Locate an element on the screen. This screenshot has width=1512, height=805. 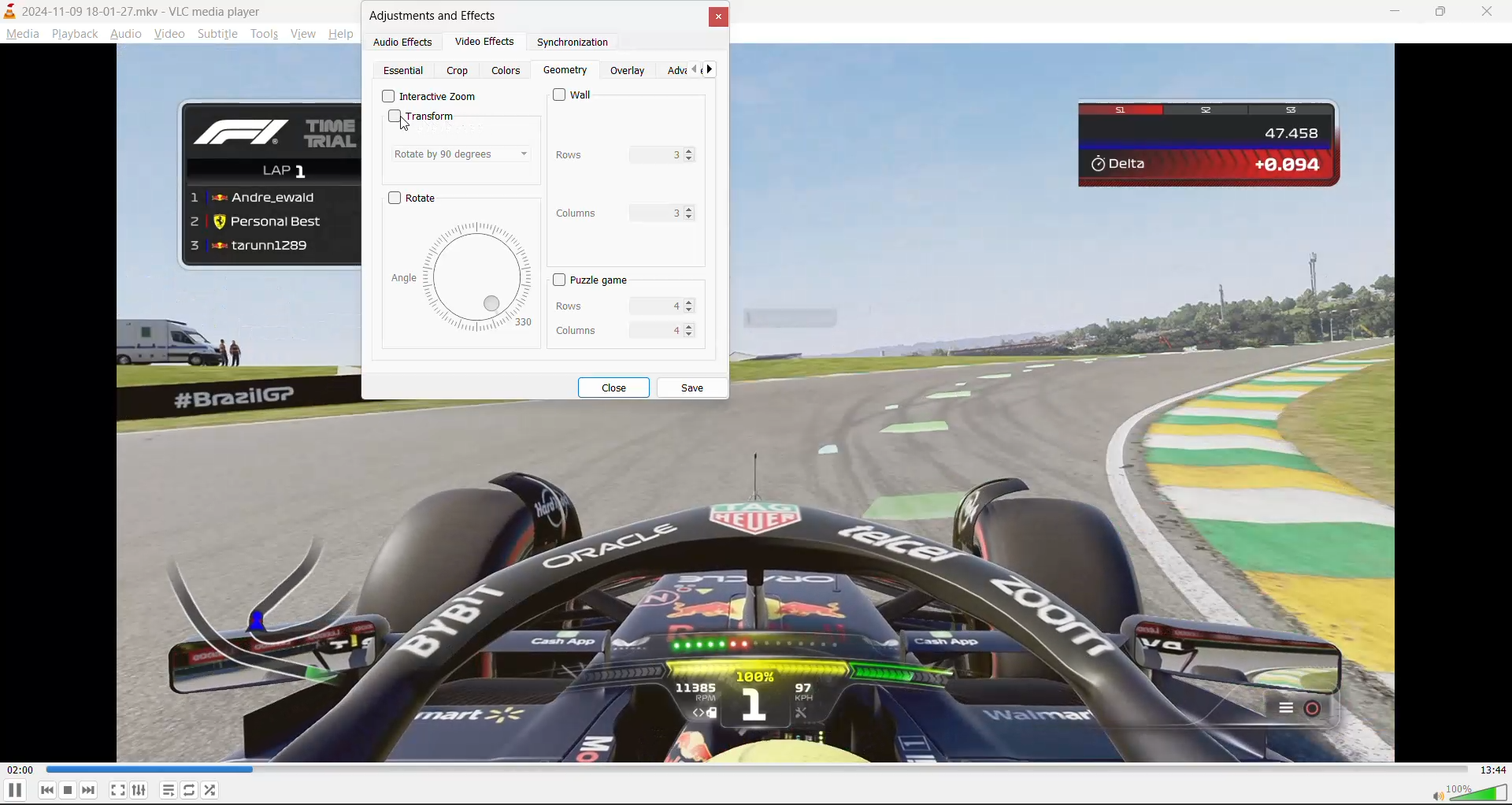
Increase is located at coordinates (691, 208).